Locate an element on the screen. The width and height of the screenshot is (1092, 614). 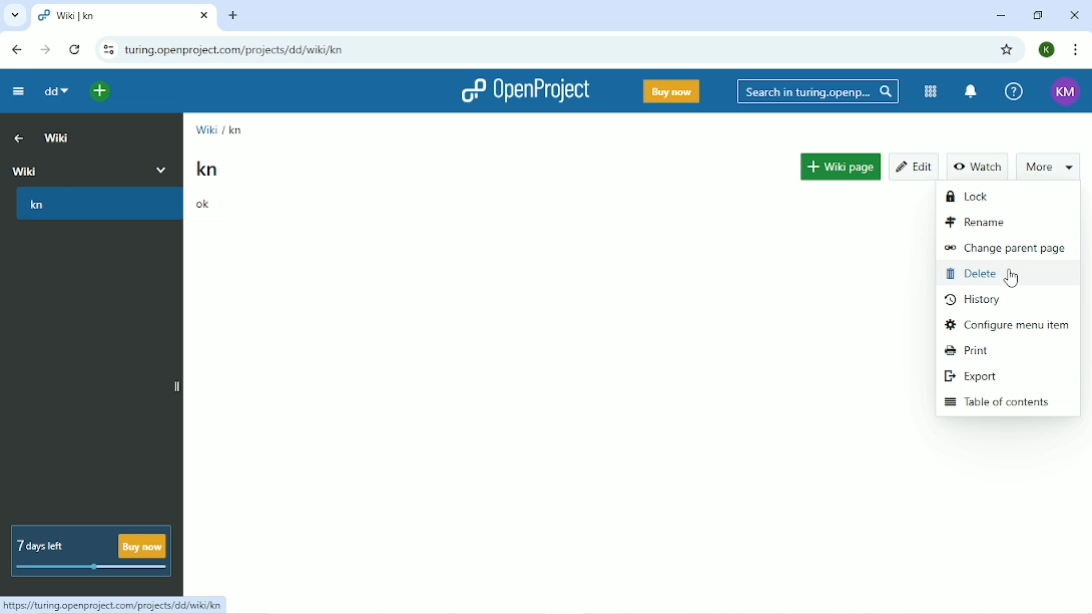
Current tab is located at coordinates (124, 18).